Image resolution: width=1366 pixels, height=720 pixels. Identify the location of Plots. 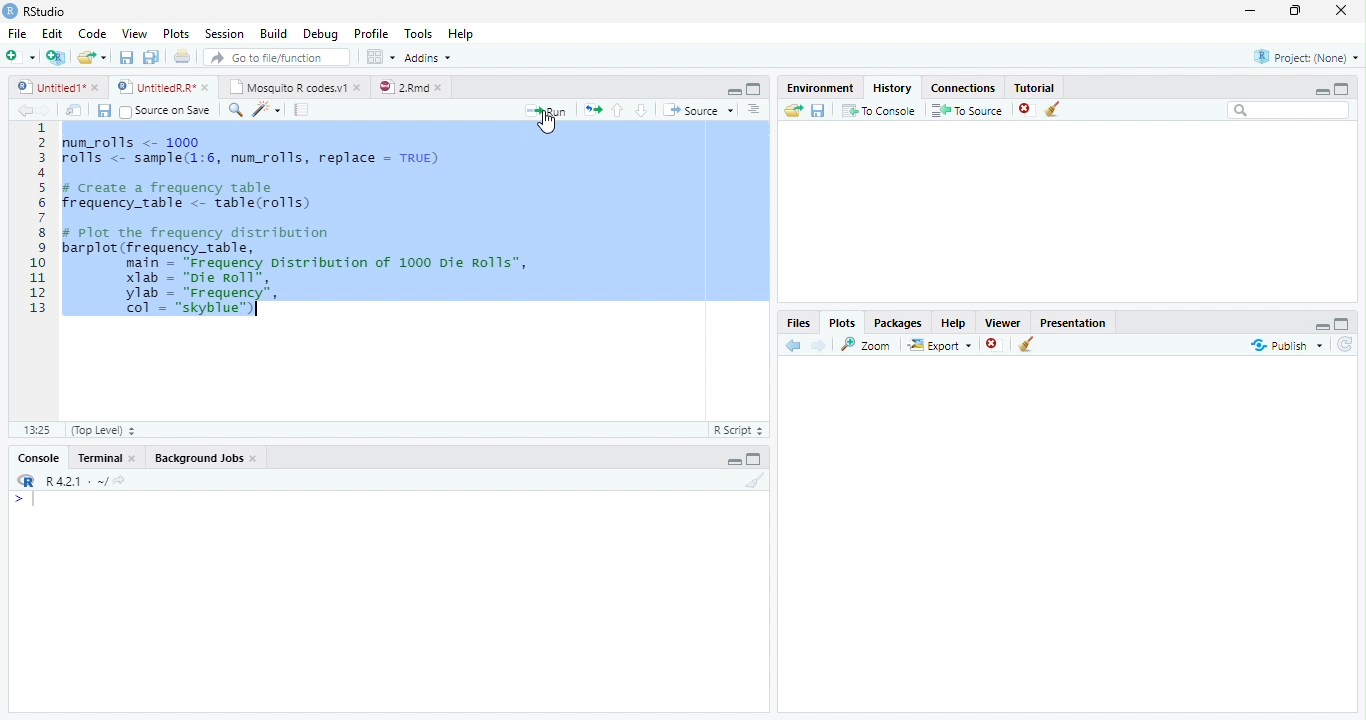
(843, 321).